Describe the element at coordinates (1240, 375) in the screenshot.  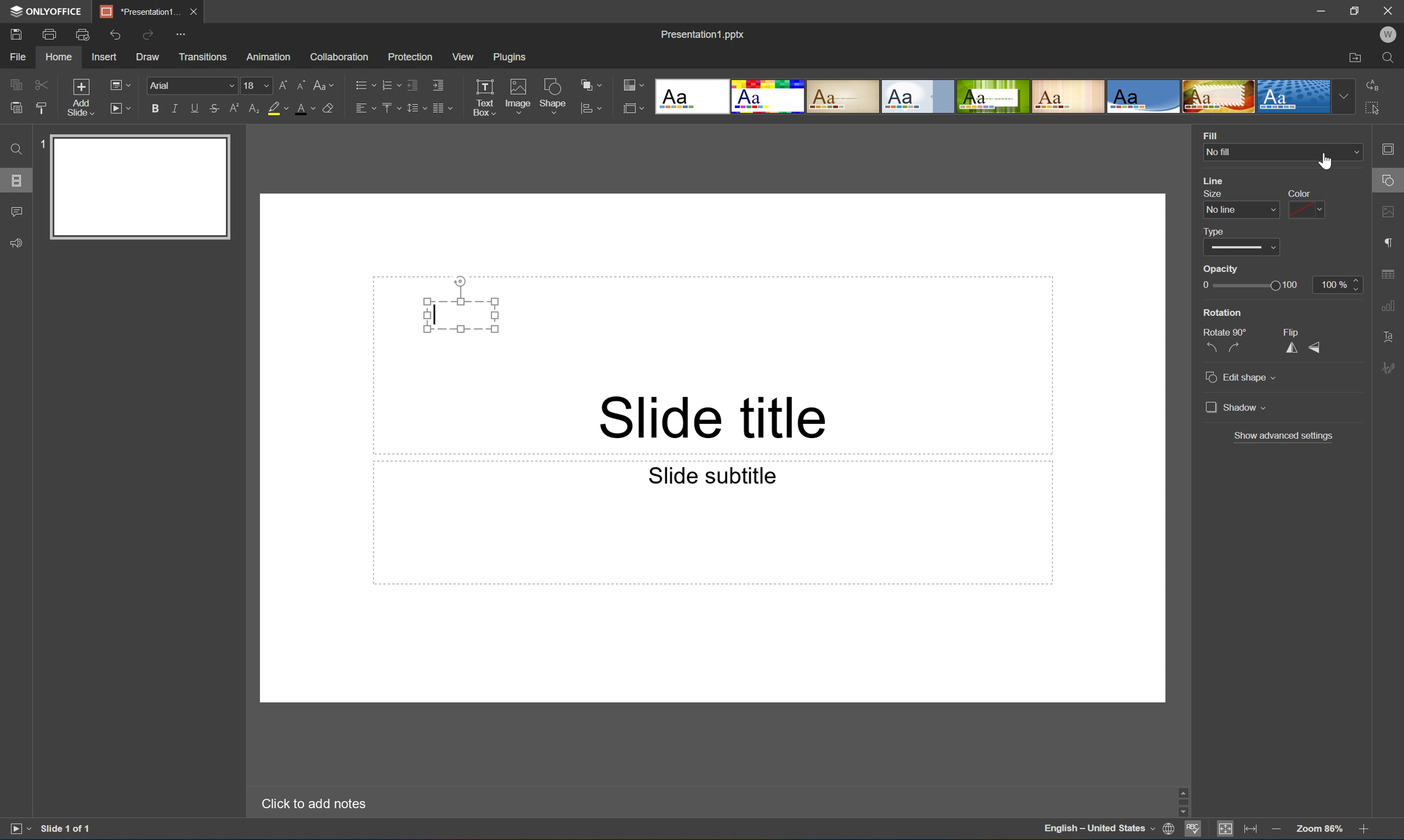
I see `Edit shape` at that location.